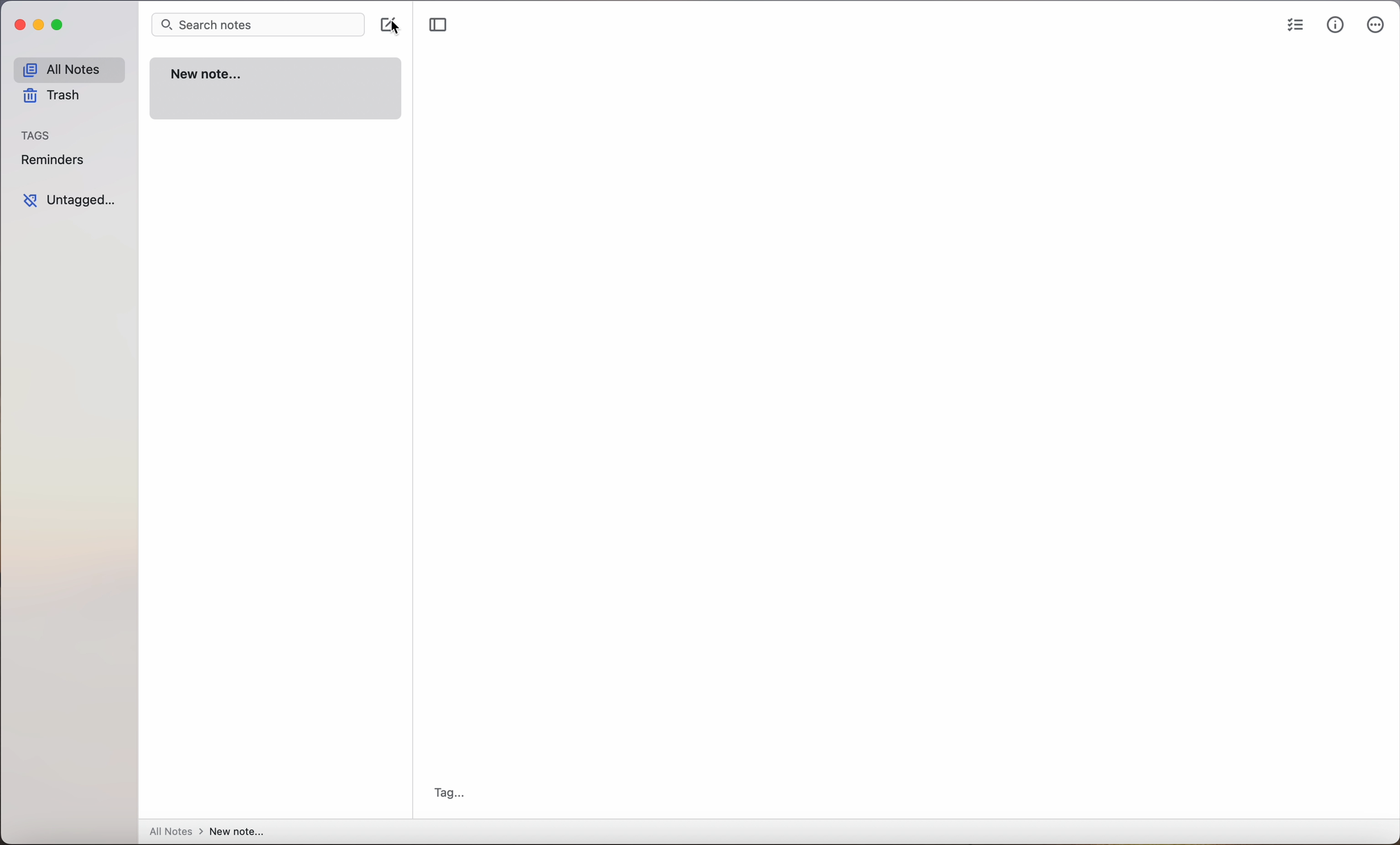 The image size is (1400, 845). Describe the element at coordinates (441, 24) in the screenshot. I see `toggle sidebar` at that location.